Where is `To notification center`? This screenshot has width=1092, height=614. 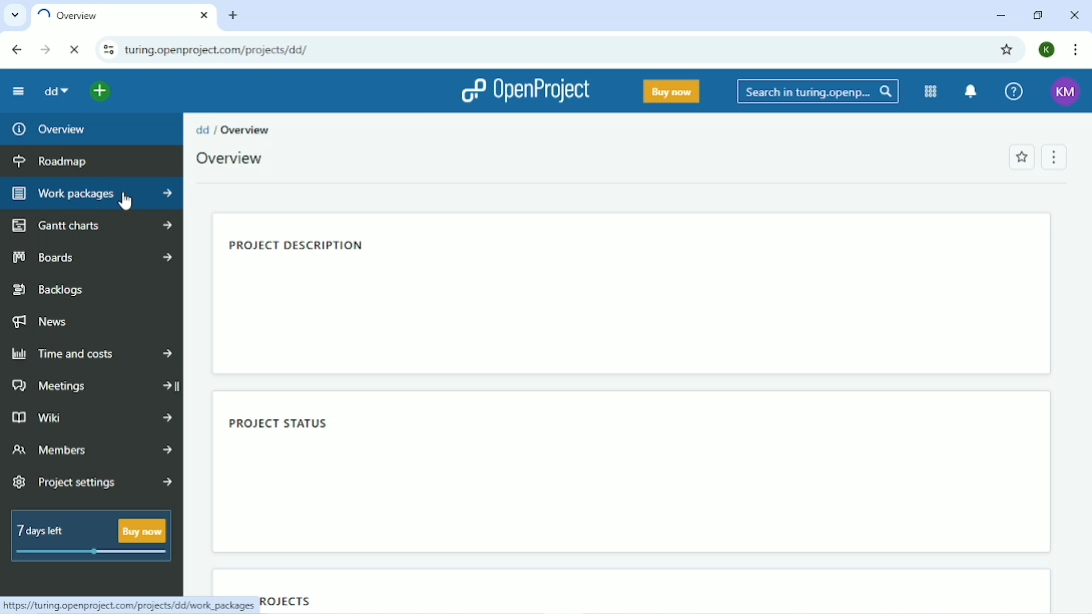
To notification center is located at coordinates (970, 92).